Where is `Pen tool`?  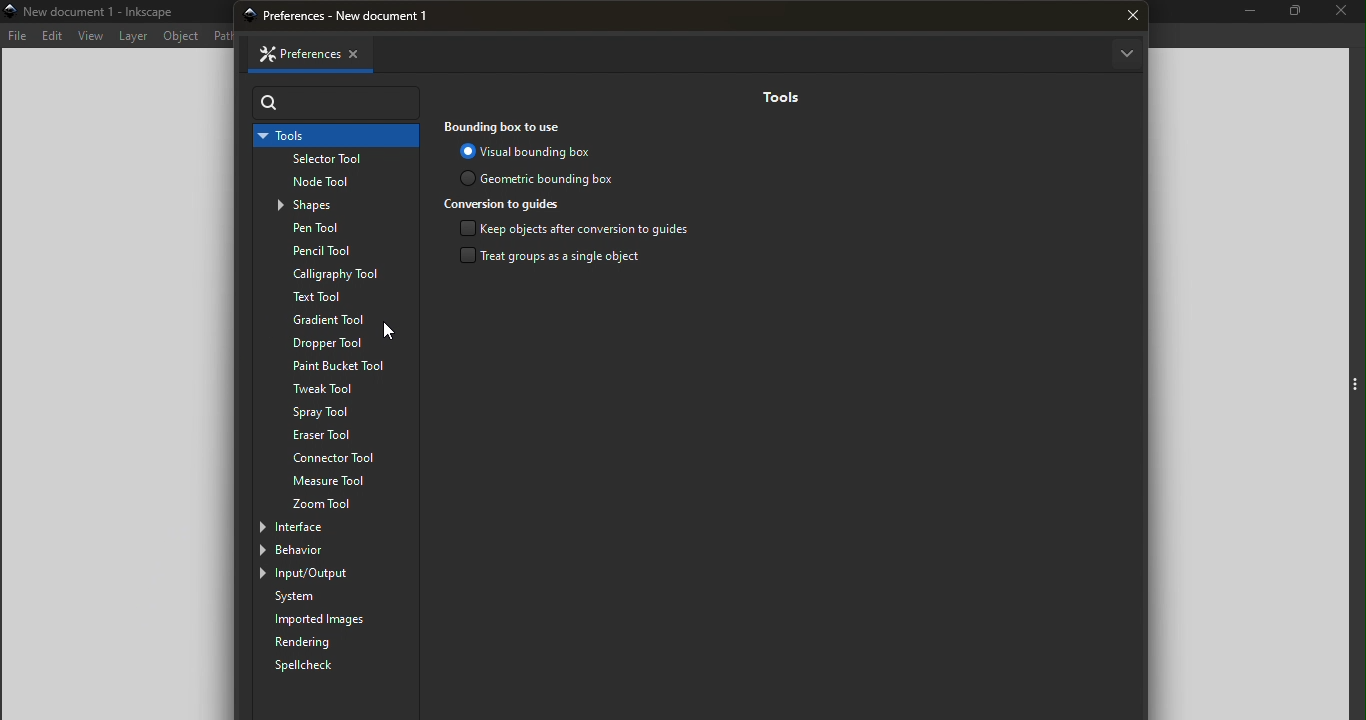
Pen tool is located at coordinates (338, 229).